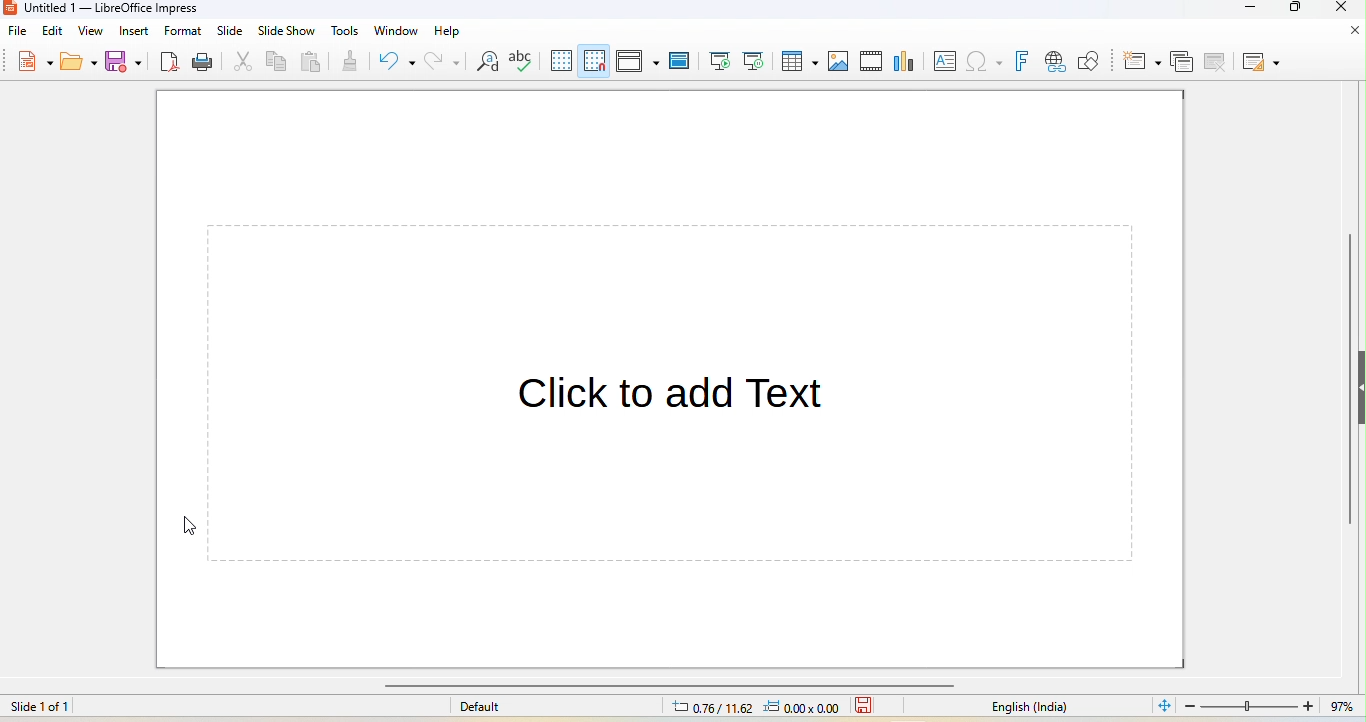  Describe the element at coordinates (351, 59) in the screenshot. I see `clone` at that location.